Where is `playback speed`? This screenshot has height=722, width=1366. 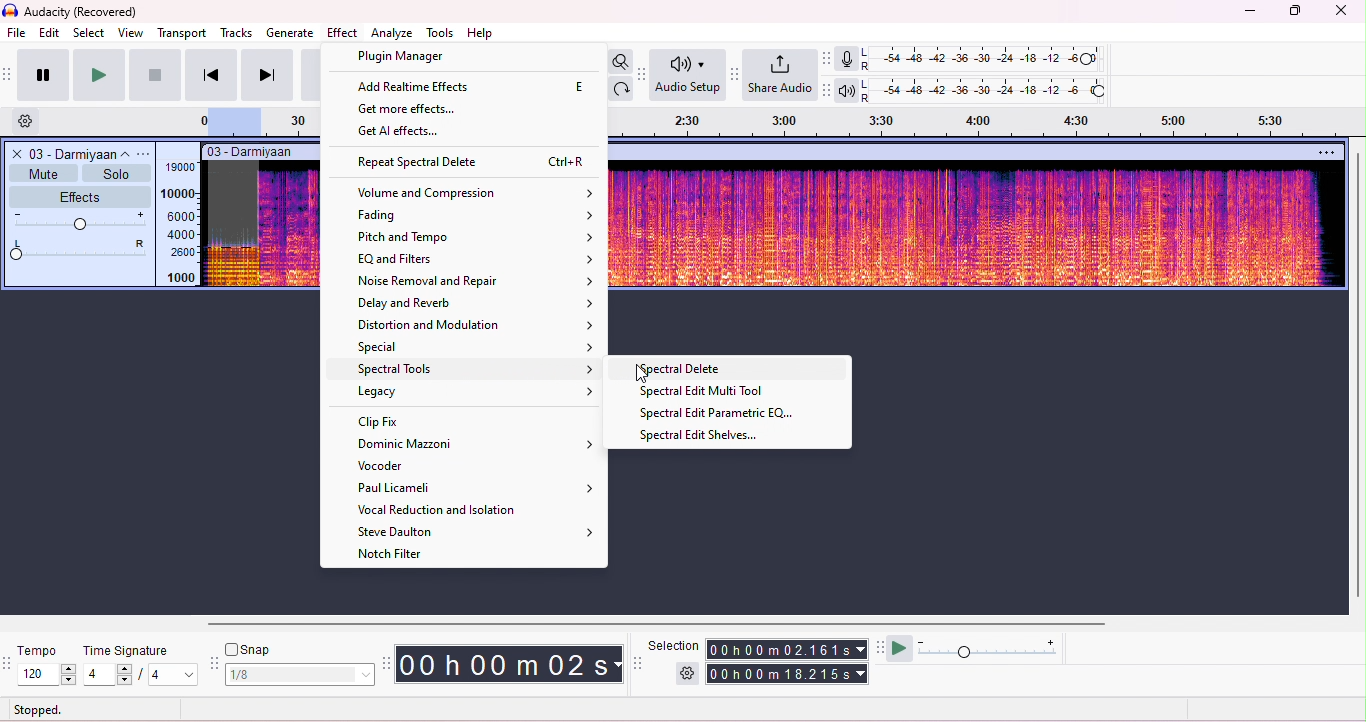
playback speed is located at coordinates (988, 648).